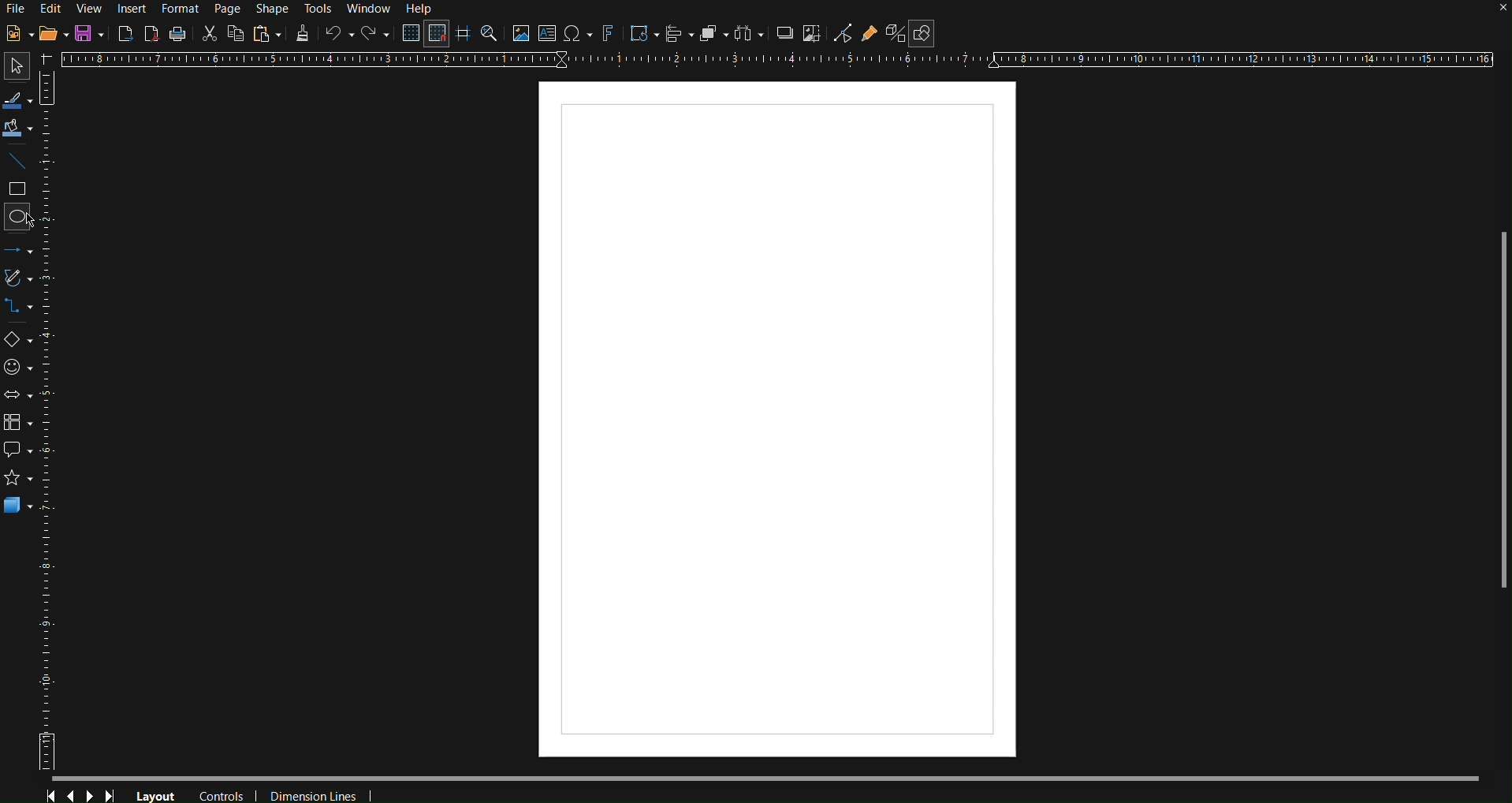 This screenshot has width=1512, height=803. What do you see at coordinates (15, 10) in the screenshot?
I see `File` at bounding box center [15, 10].